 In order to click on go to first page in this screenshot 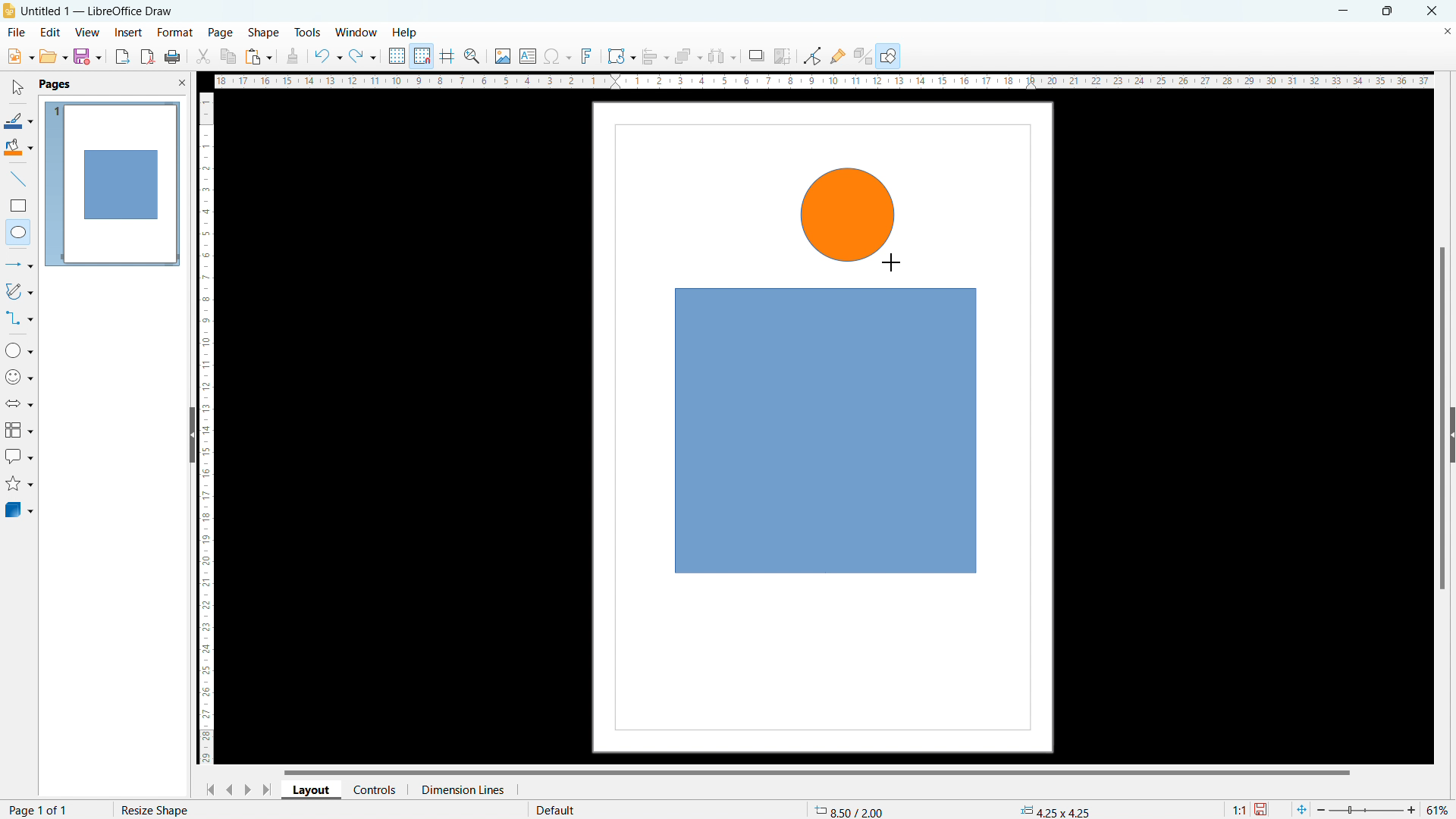, I will do `click(208, 789)`.